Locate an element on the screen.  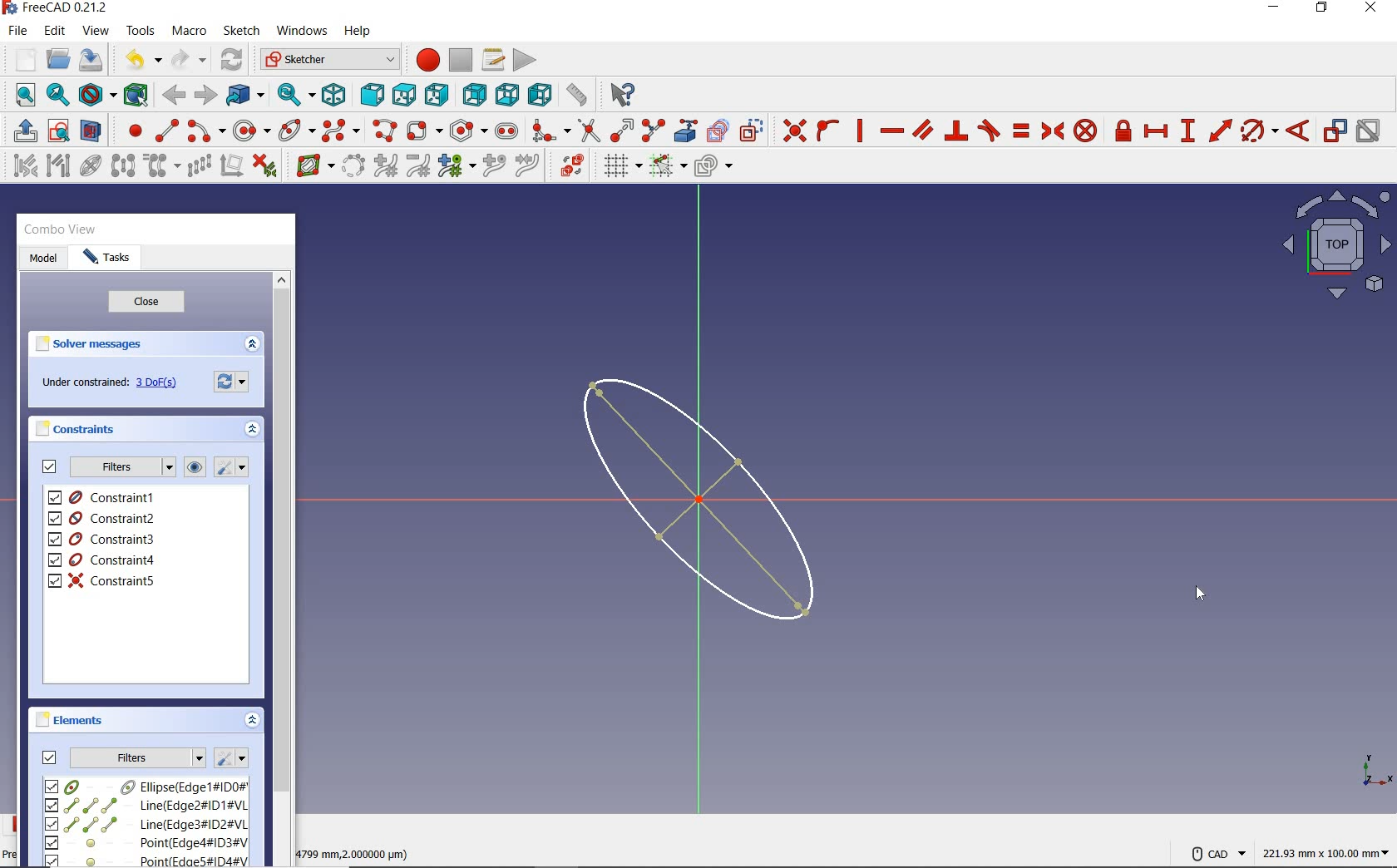
increase B-Spline Degree is located at coordinates (383, 166).